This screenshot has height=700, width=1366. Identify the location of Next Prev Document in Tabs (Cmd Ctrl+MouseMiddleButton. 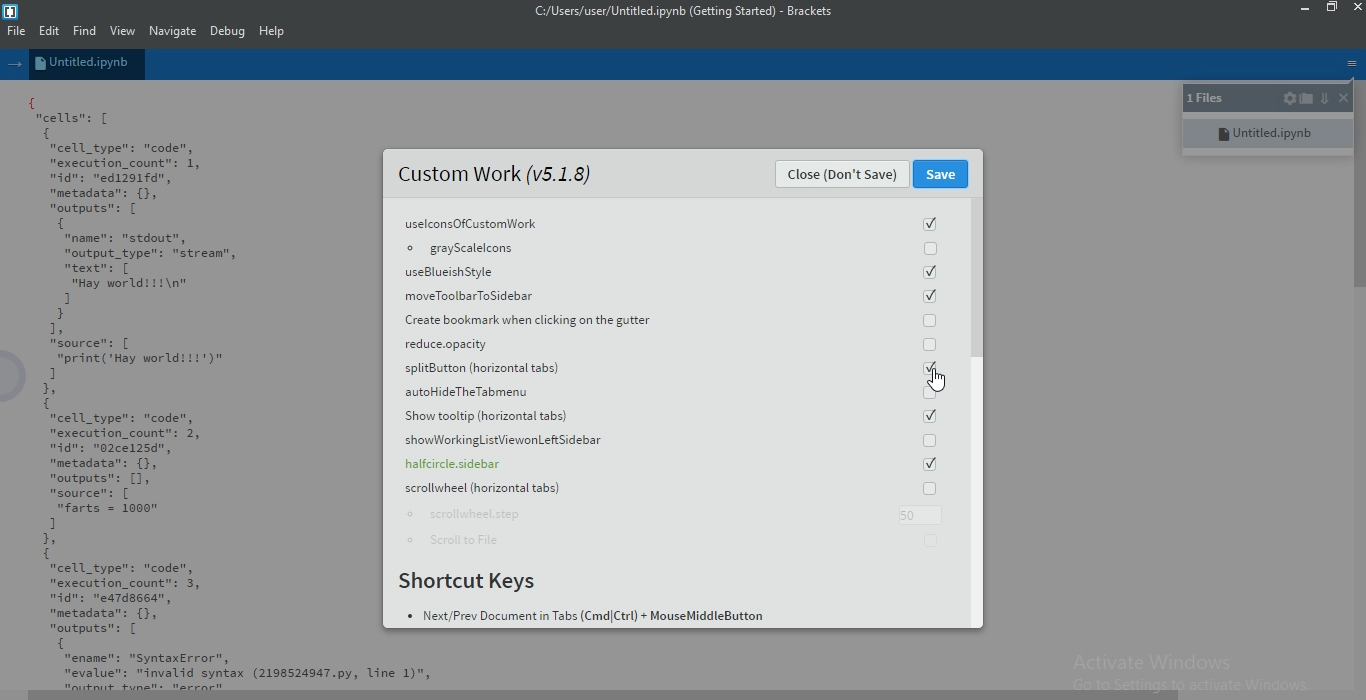
(584, 614).